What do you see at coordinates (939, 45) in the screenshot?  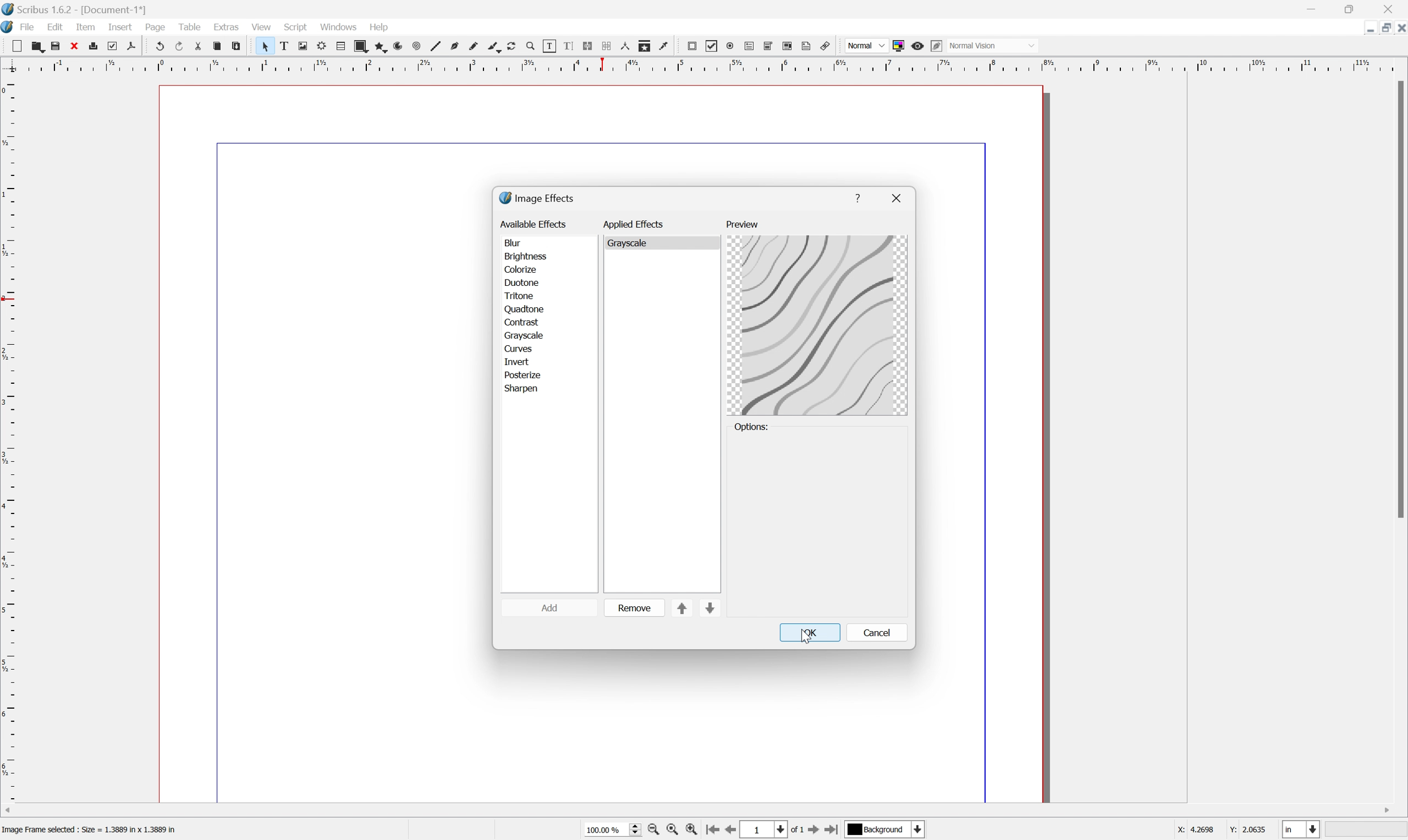 I see `Edit in preview mode` at bounding box center [939, 45].